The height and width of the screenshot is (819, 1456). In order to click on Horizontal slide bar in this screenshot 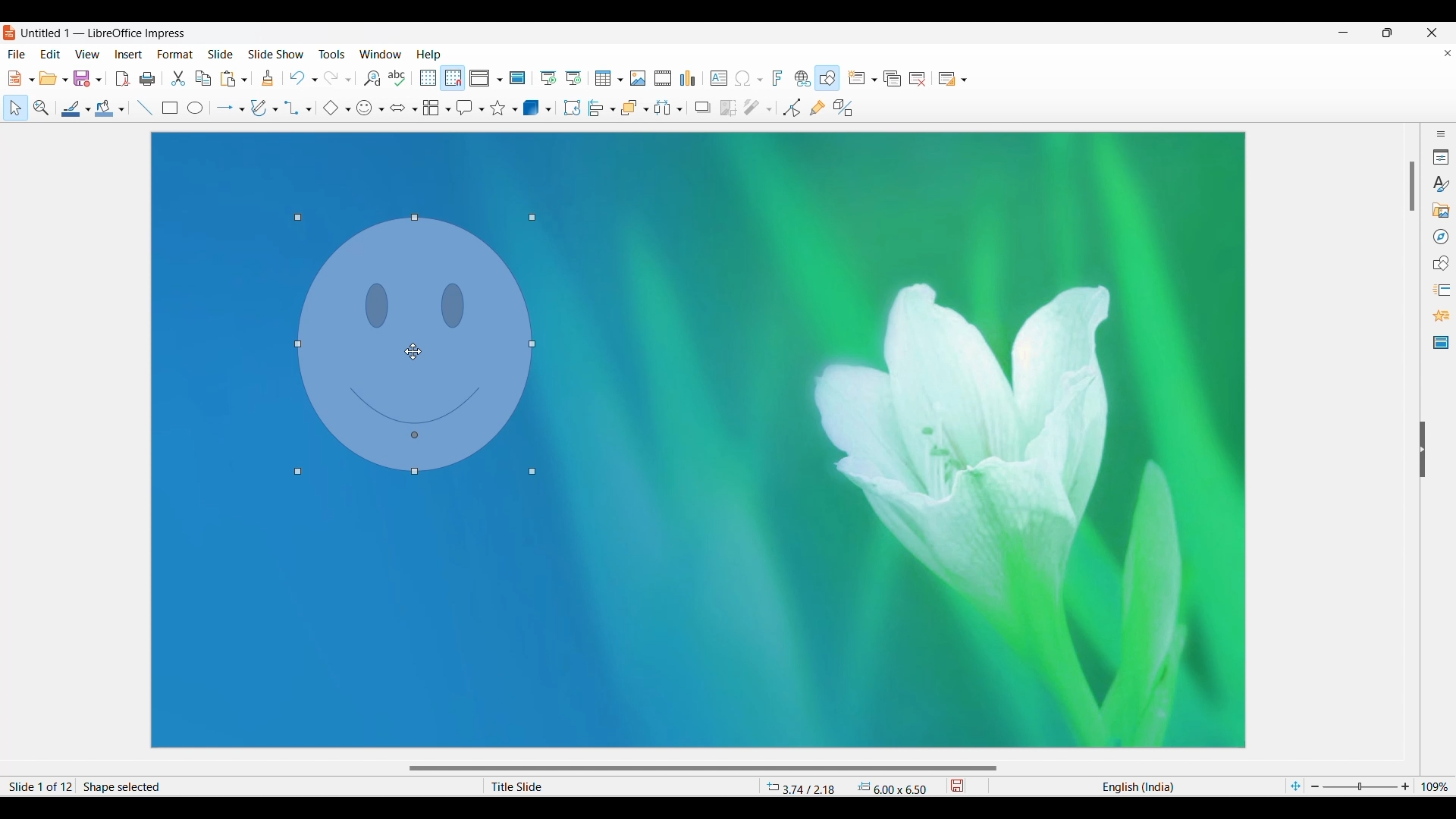, I will do `click(703, 769)`.